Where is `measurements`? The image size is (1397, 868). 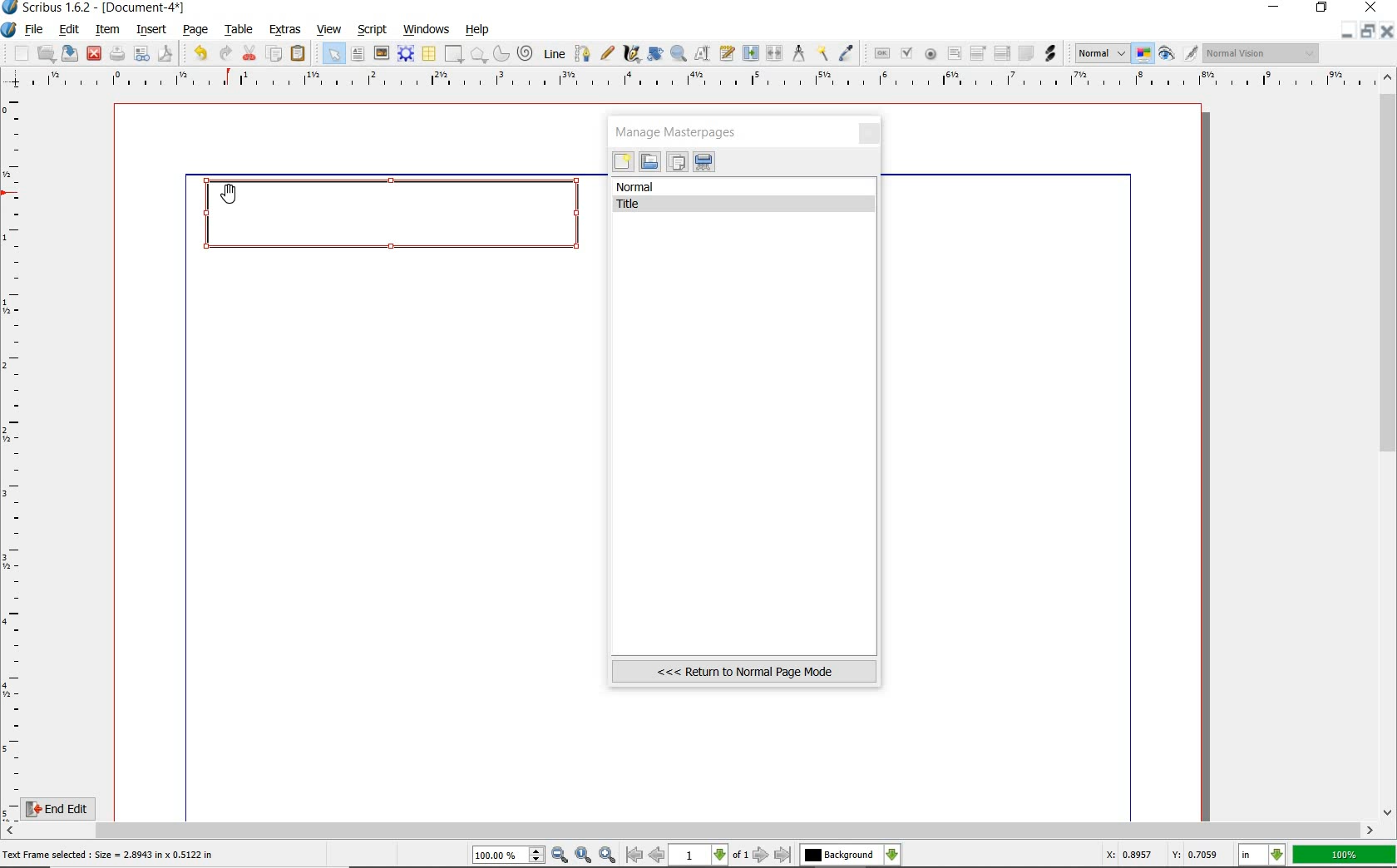
measurements is located at coordinates (799, 54).